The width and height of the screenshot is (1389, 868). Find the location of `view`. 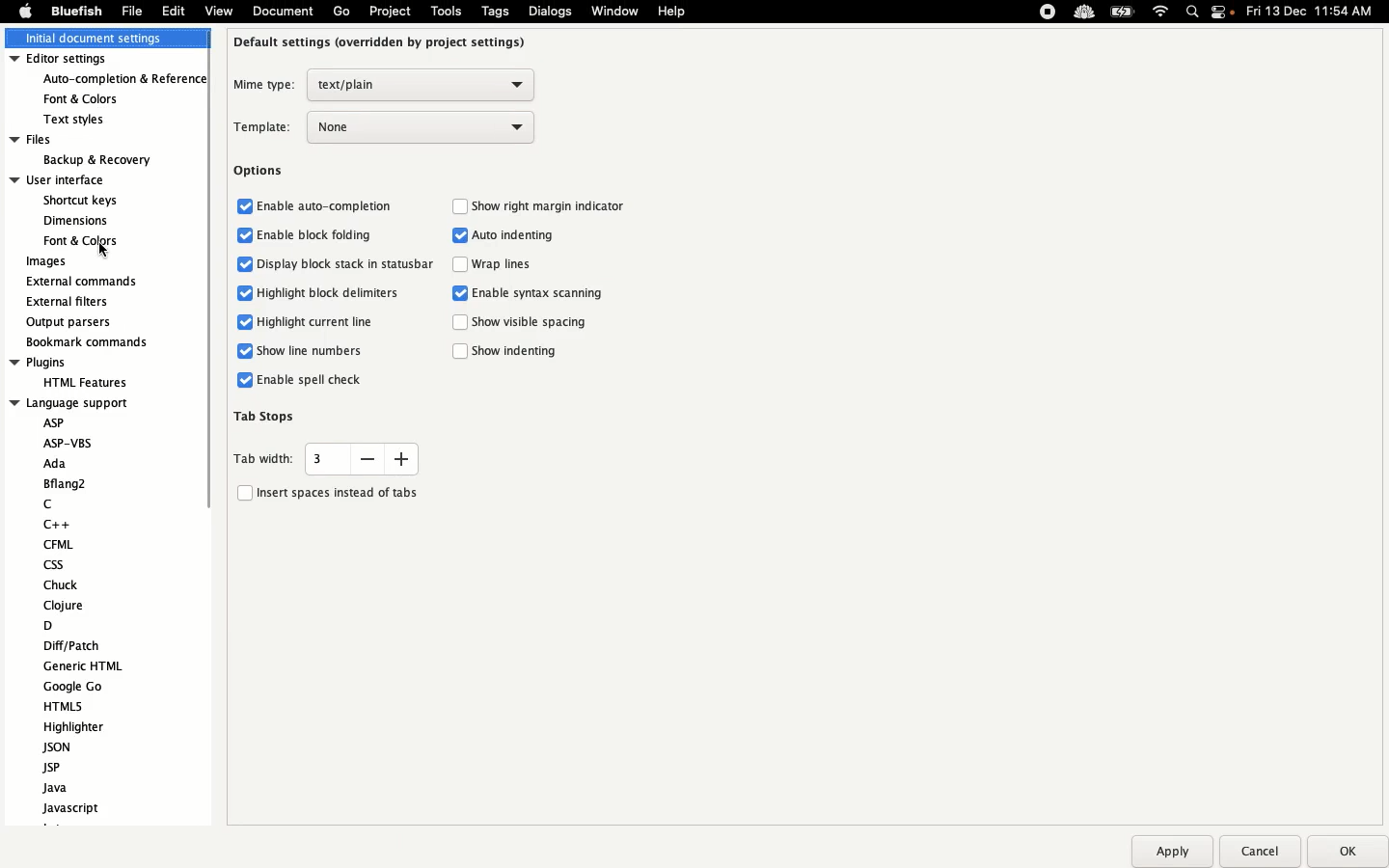

view is located at coordinates (218, 14).